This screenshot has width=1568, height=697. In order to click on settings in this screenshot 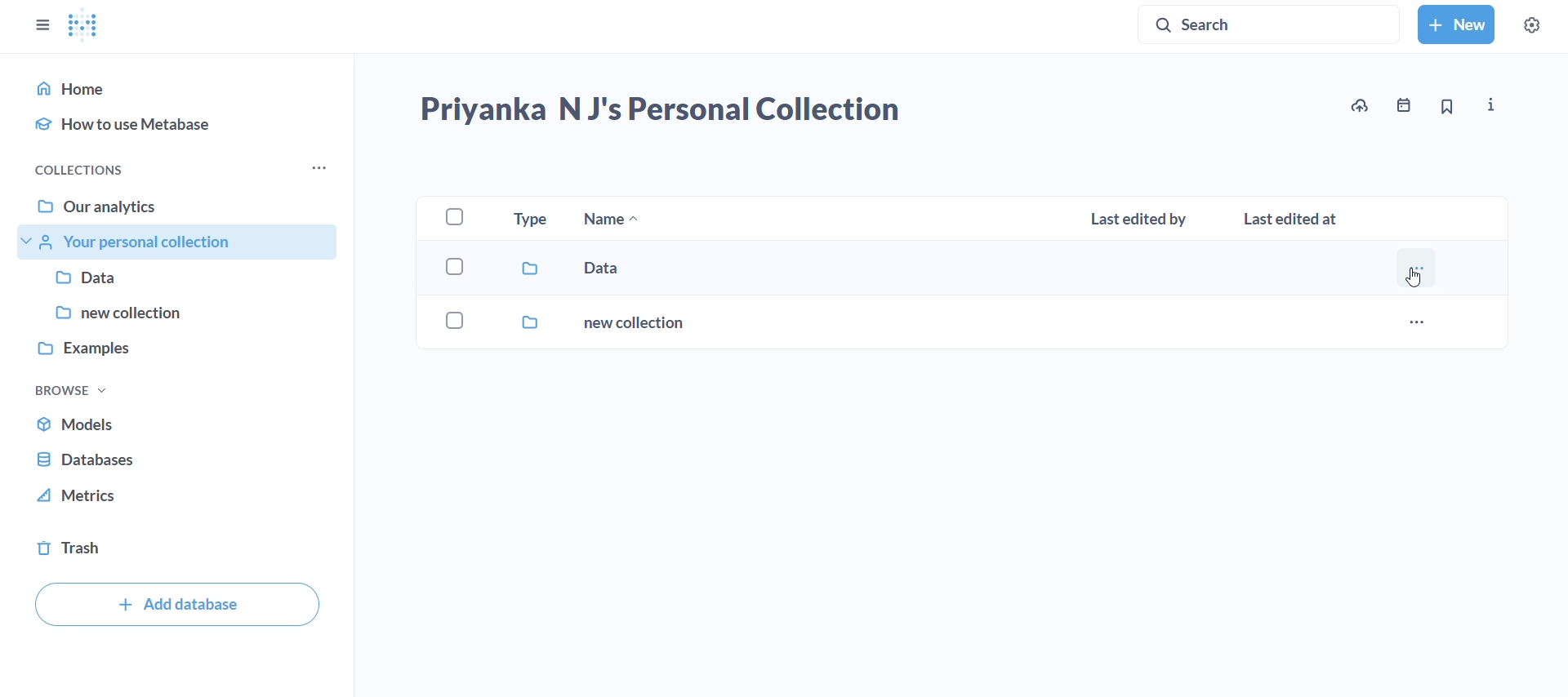, I will do `click(1532, 23)`.